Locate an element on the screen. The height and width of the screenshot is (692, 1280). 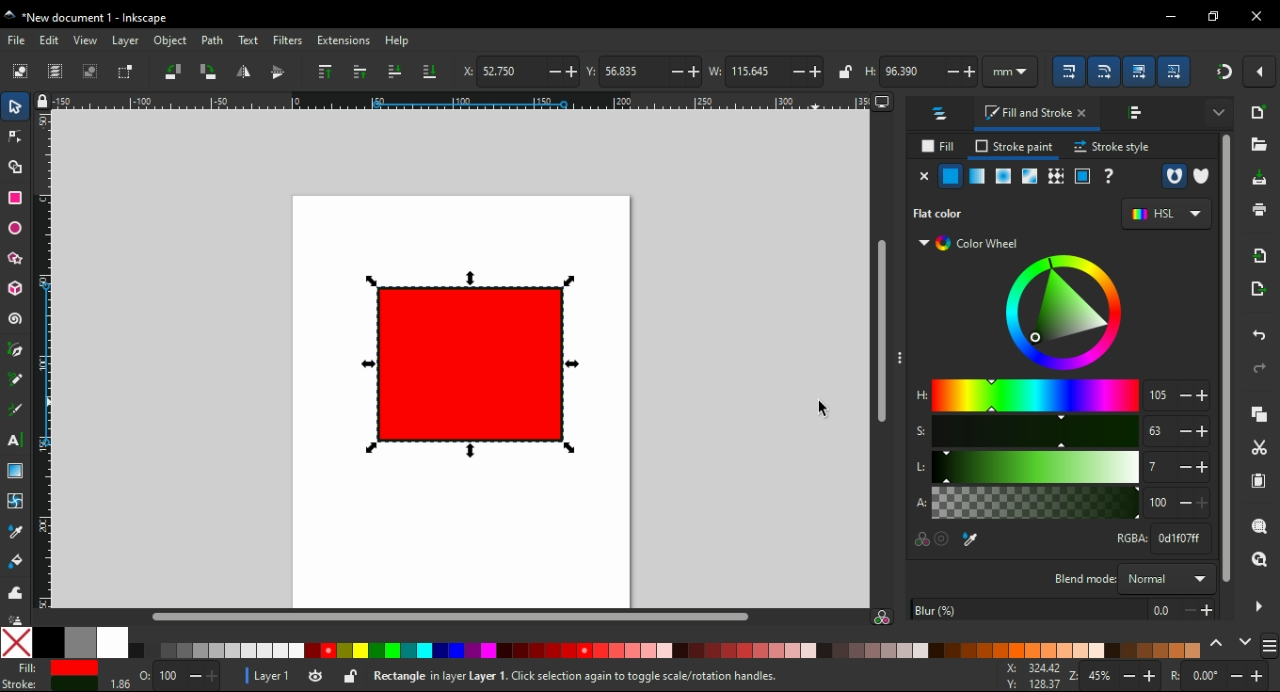
x is located at coordinates (465, 70).